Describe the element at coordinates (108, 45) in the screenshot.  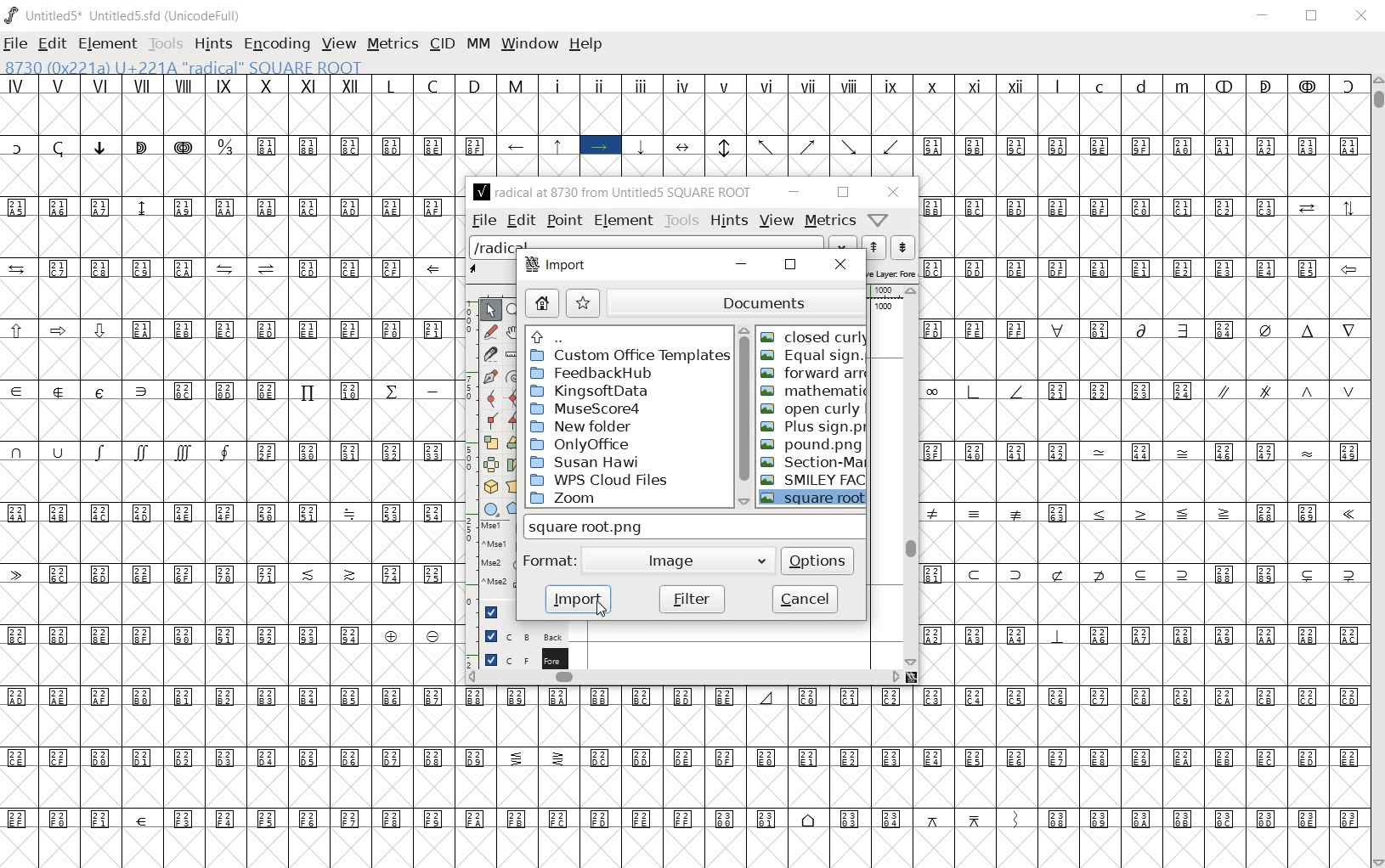
I see `ELEMENT` at that location.